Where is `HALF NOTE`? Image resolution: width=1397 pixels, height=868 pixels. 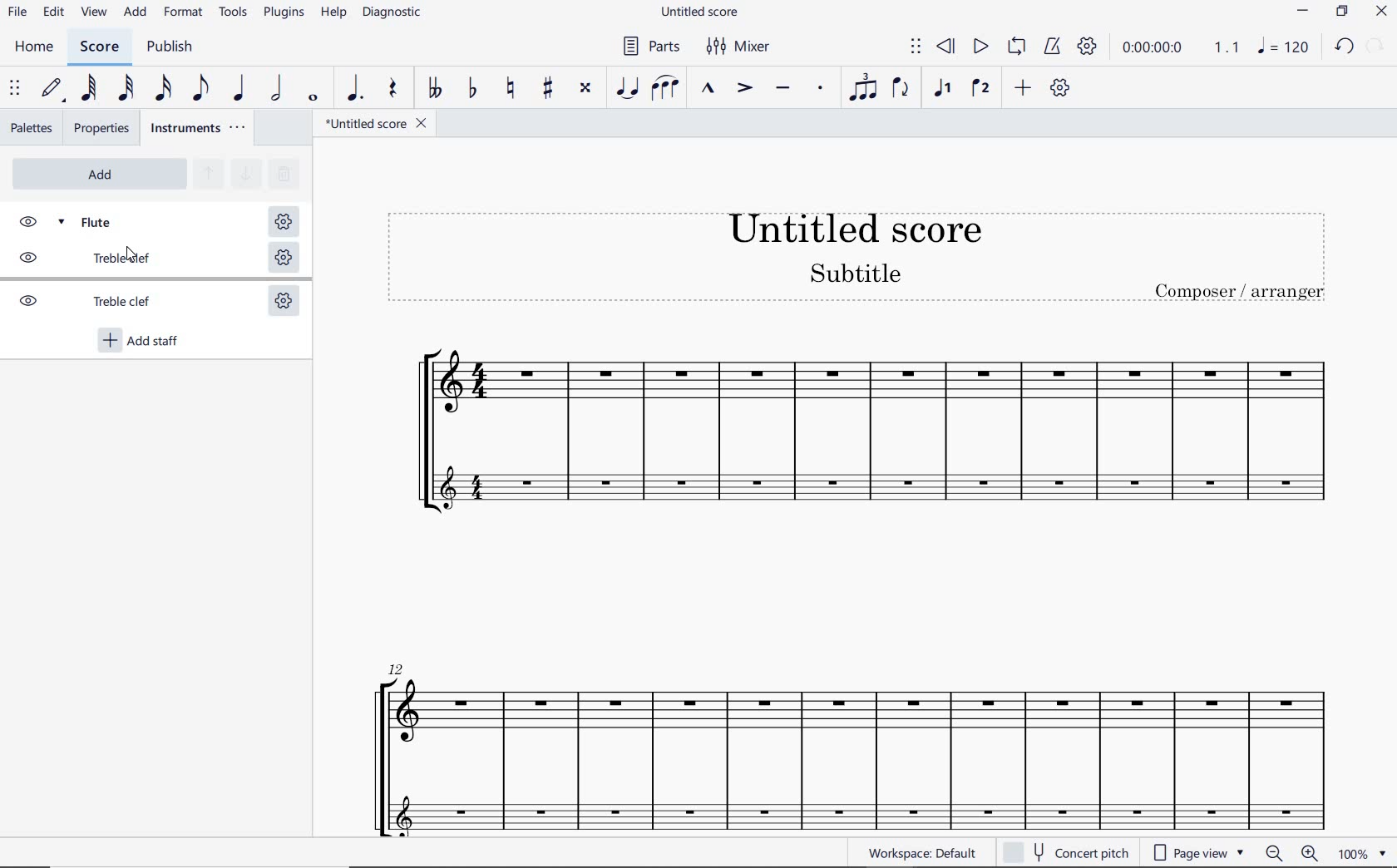 HALF NOTE is located at coordinates (278, 90).